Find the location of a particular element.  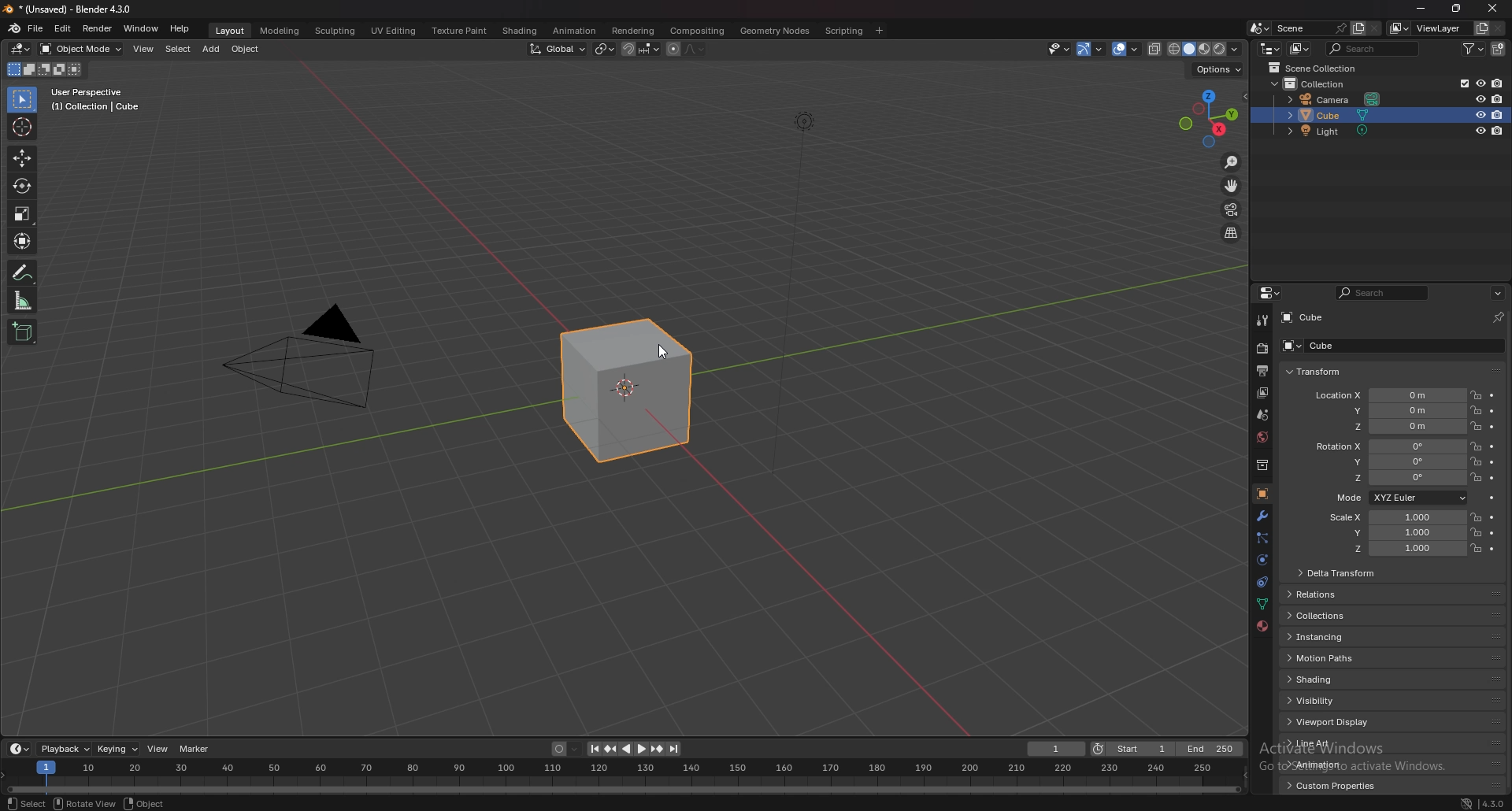

editor type is located at coordinates (19, 749).